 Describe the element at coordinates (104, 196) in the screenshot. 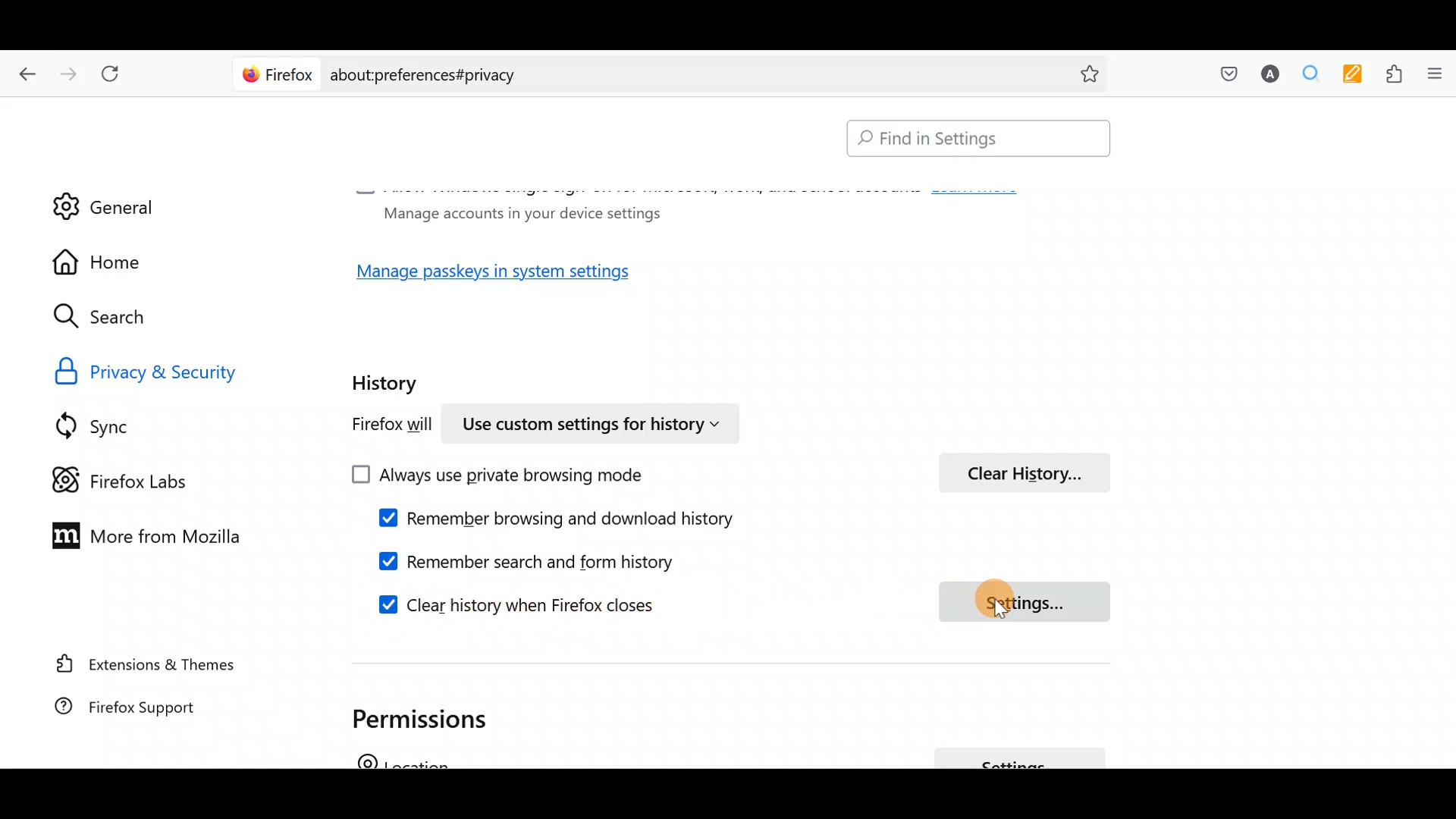

I see `General` at that location.